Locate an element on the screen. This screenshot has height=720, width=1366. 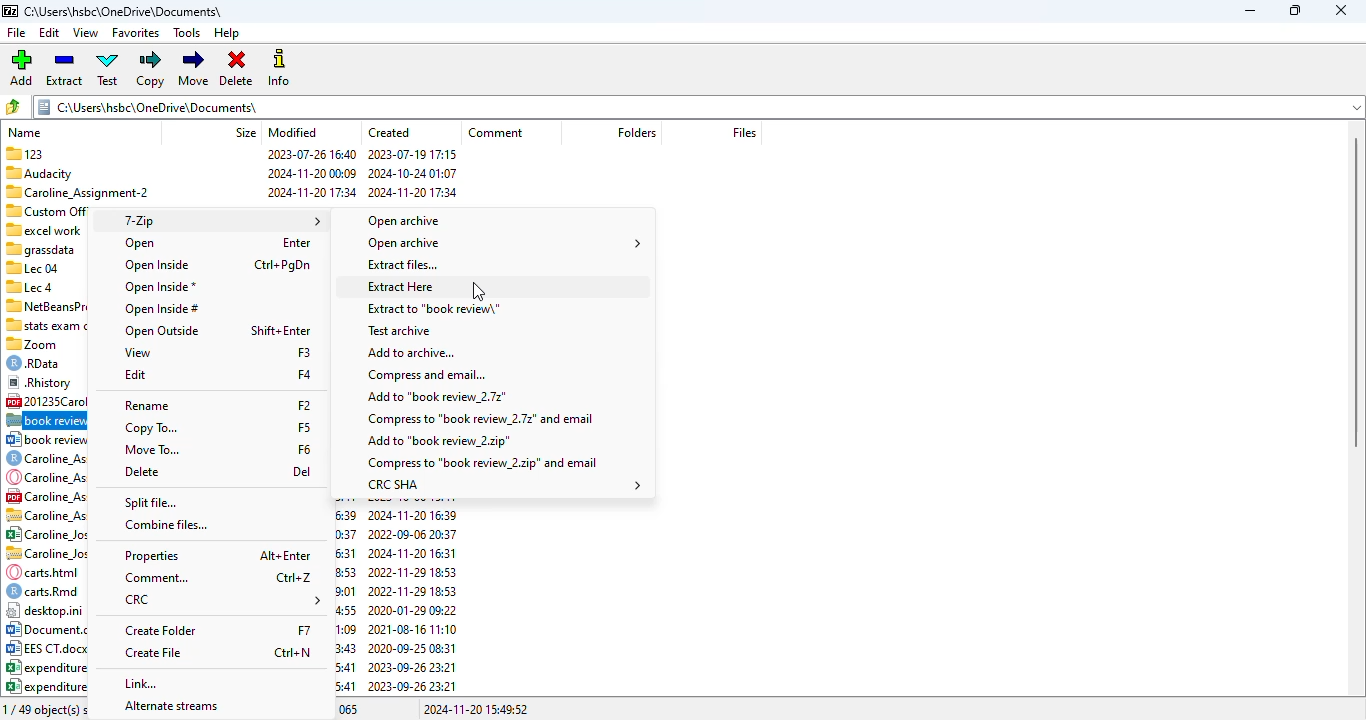
tools is located at coordinates (187, 33).